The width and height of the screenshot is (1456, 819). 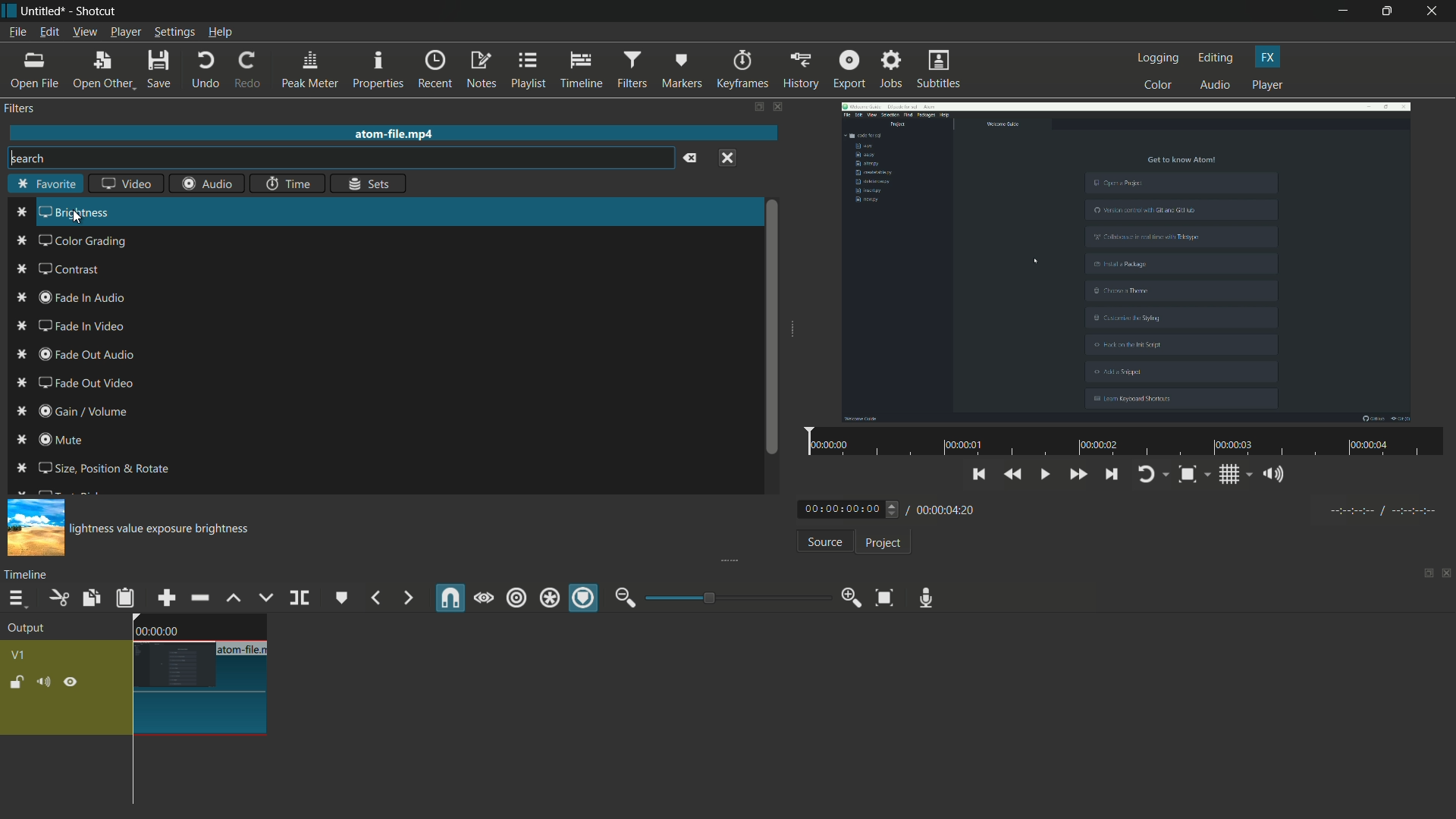 What do you see at coordinates (1126, 260) in the screenshot?
I see `video` at bounding box center [1126, 260].